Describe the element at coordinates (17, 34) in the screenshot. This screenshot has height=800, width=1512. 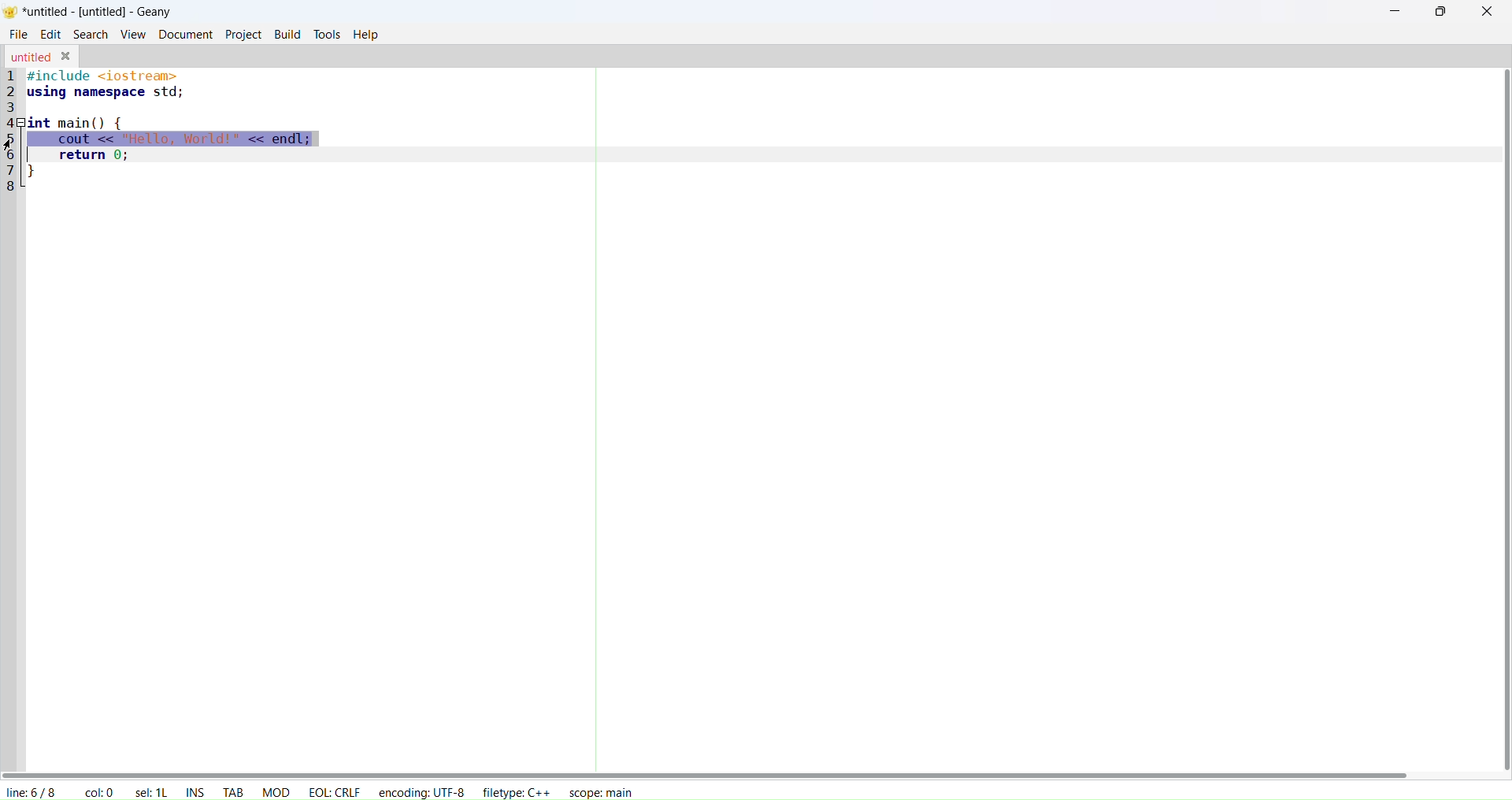
I see `file` at that location.